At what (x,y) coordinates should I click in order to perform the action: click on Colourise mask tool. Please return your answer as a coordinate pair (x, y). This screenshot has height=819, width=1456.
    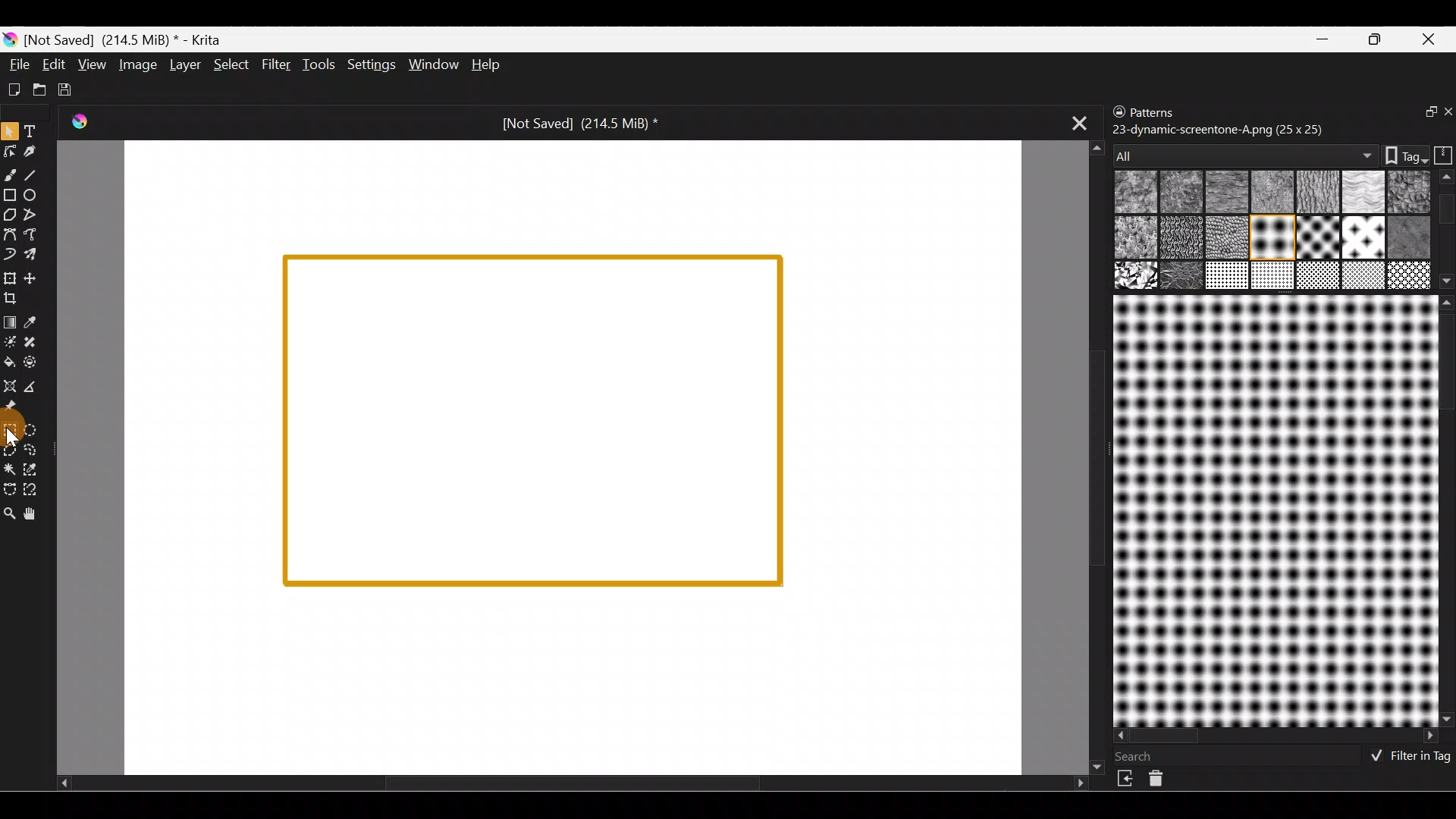
    Looking at the image, I should click on (9, 341).